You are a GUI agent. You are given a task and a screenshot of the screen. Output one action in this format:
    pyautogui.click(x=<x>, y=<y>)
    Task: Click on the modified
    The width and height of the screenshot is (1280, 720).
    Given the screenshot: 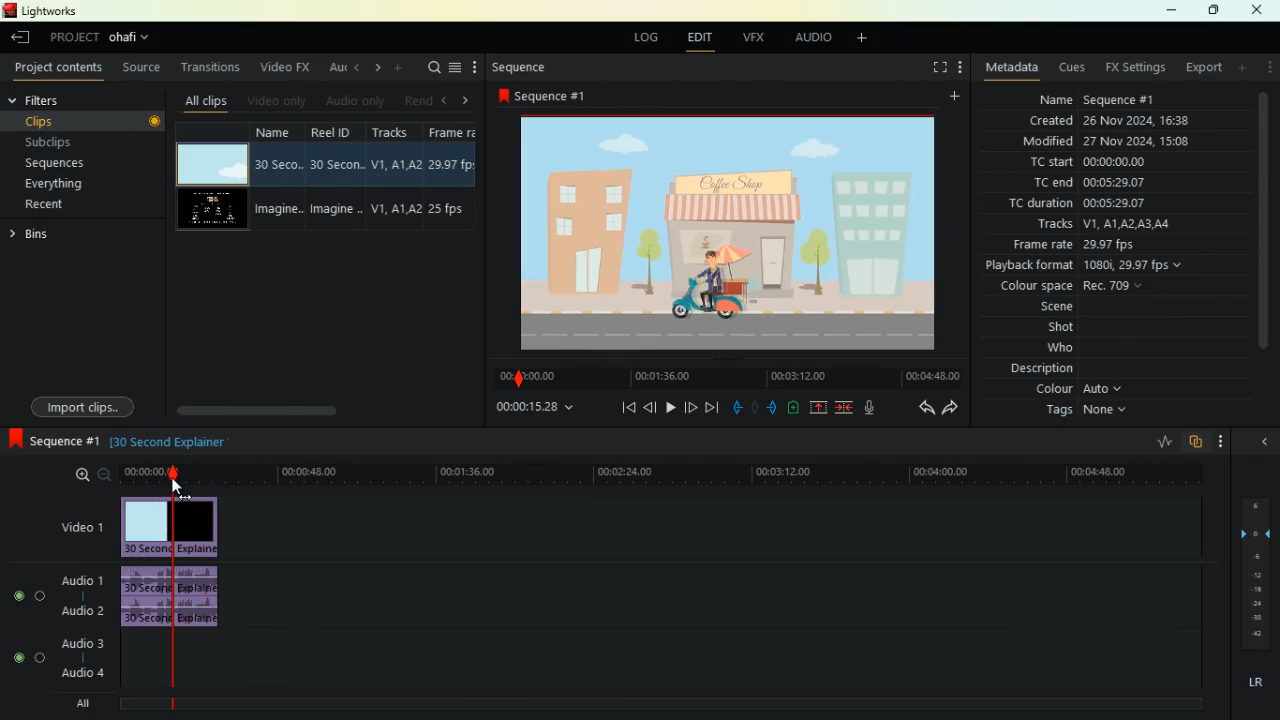 What is the action you would take?
    pyautogui.click(x=1051, y=140)
    